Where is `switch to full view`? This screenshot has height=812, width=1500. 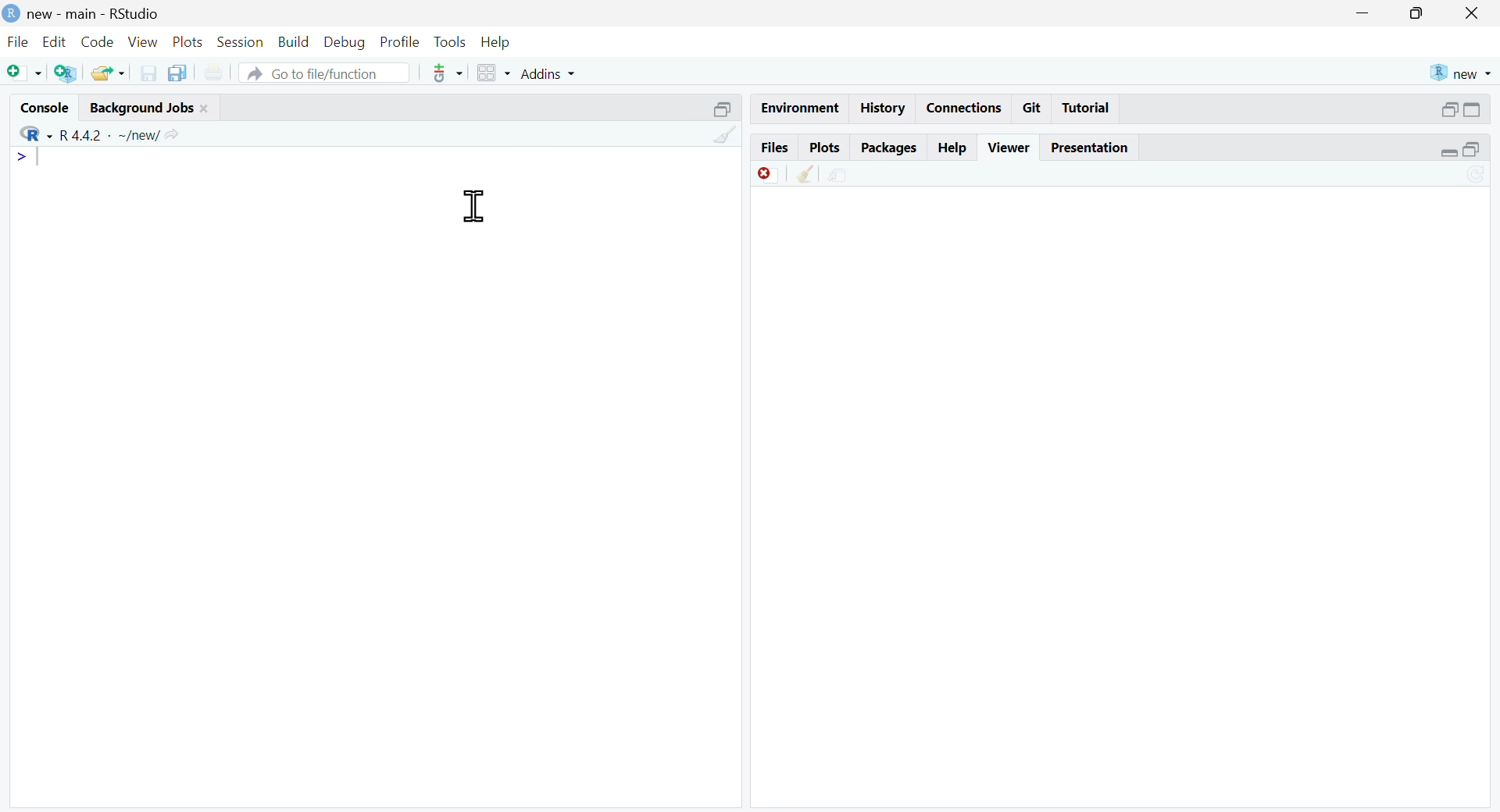
switch to full view is located at coordinates (1472, 109).